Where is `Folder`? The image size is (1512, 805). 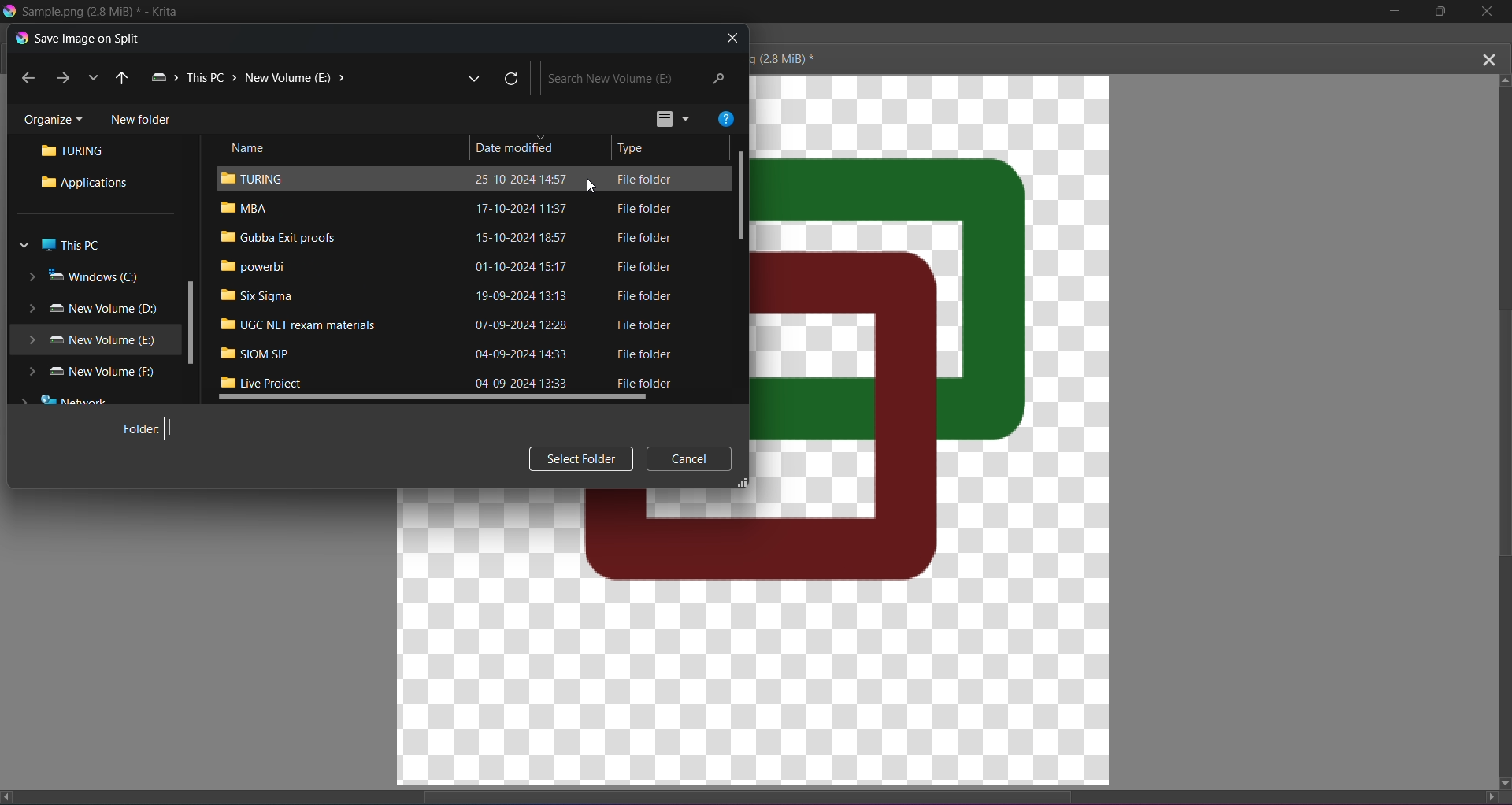
Folder is located at coordinates (134, 429).